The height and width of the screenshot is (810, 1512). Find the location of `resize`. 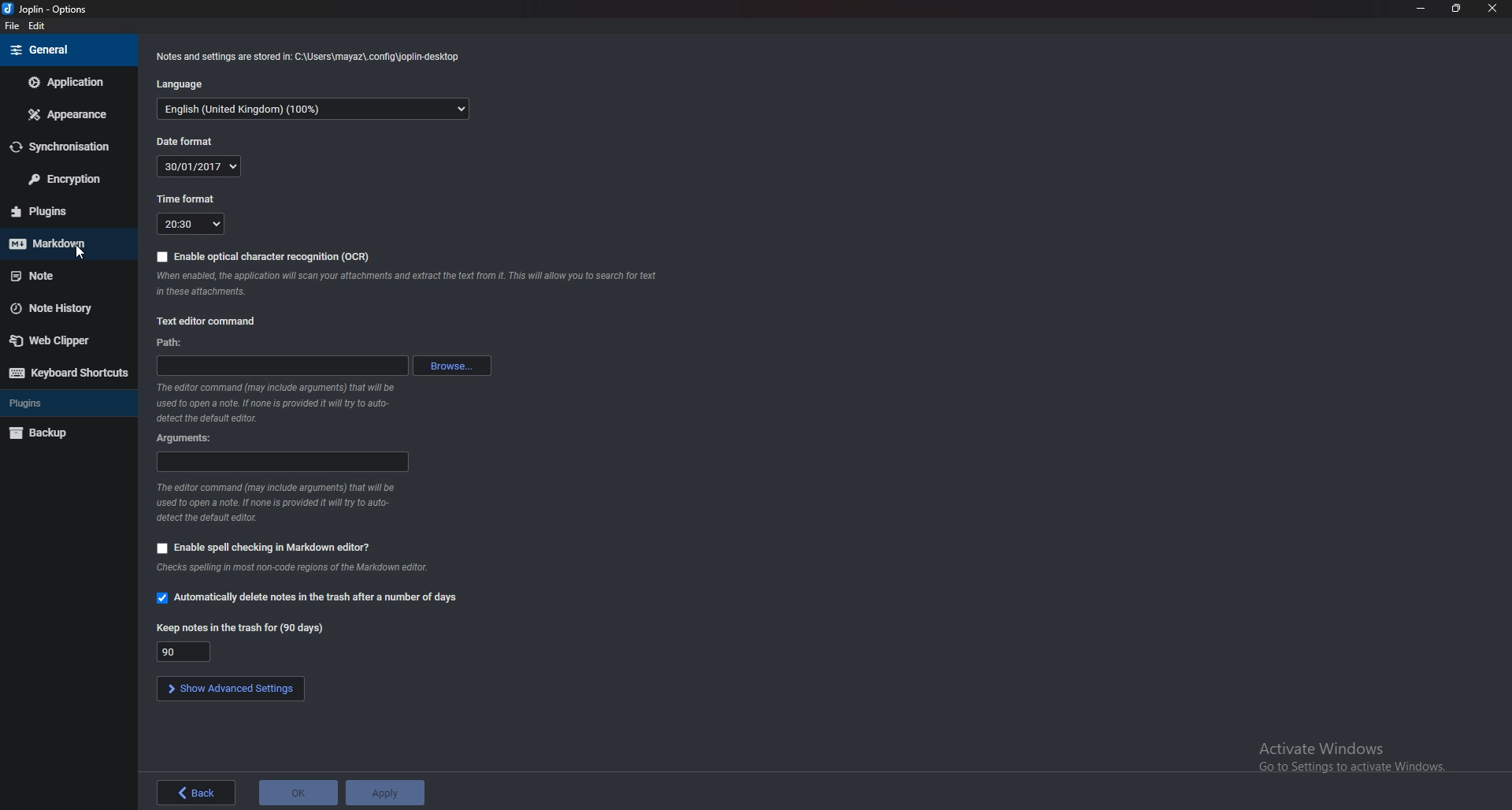

resize is located at coordinates (1457, 9).